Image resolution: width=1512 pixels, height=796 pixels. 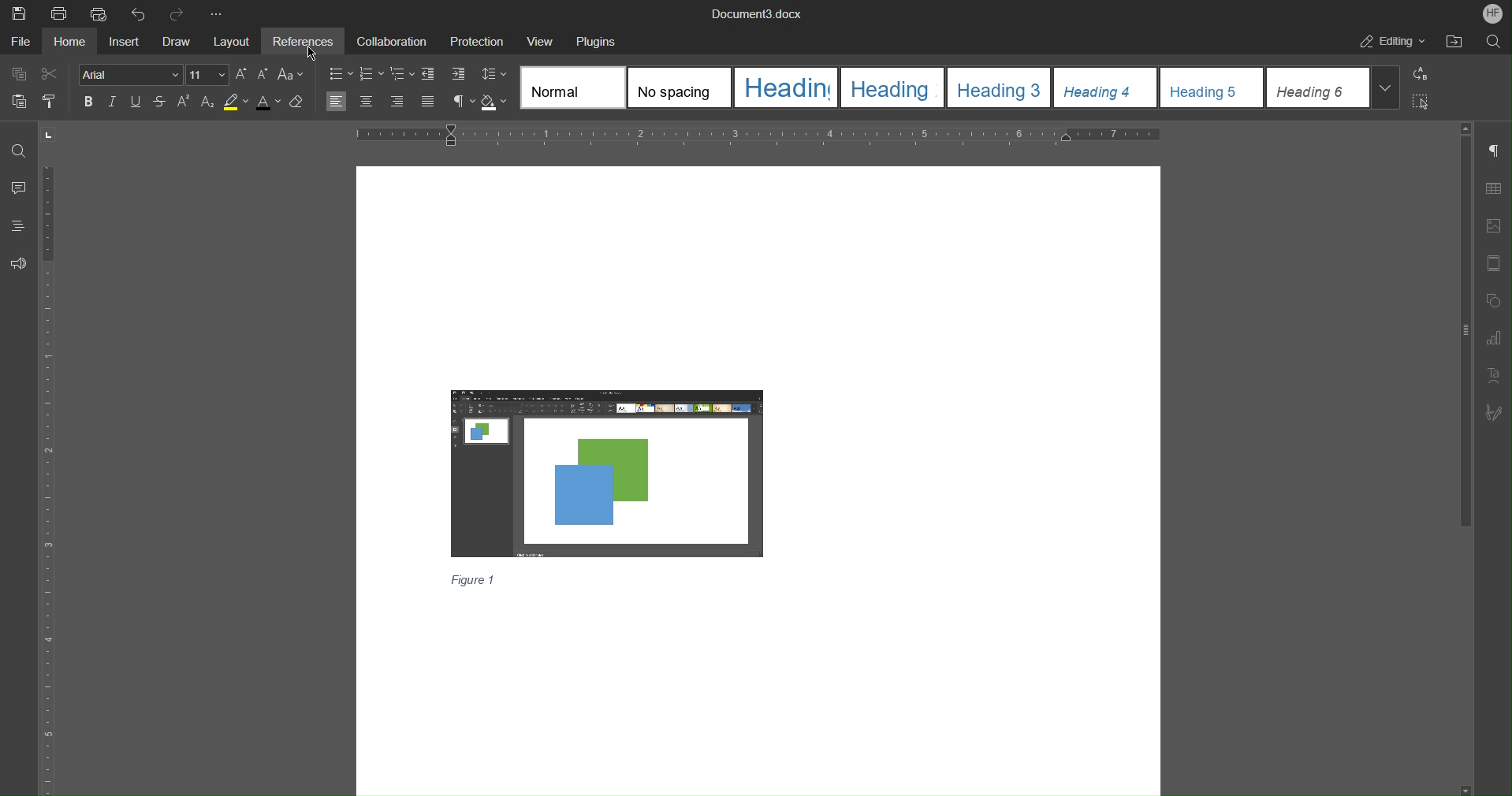 What do you see at coordinates (1392, 42) in the screenshot?
I see `Editing` at bounding box center [1392, 42].